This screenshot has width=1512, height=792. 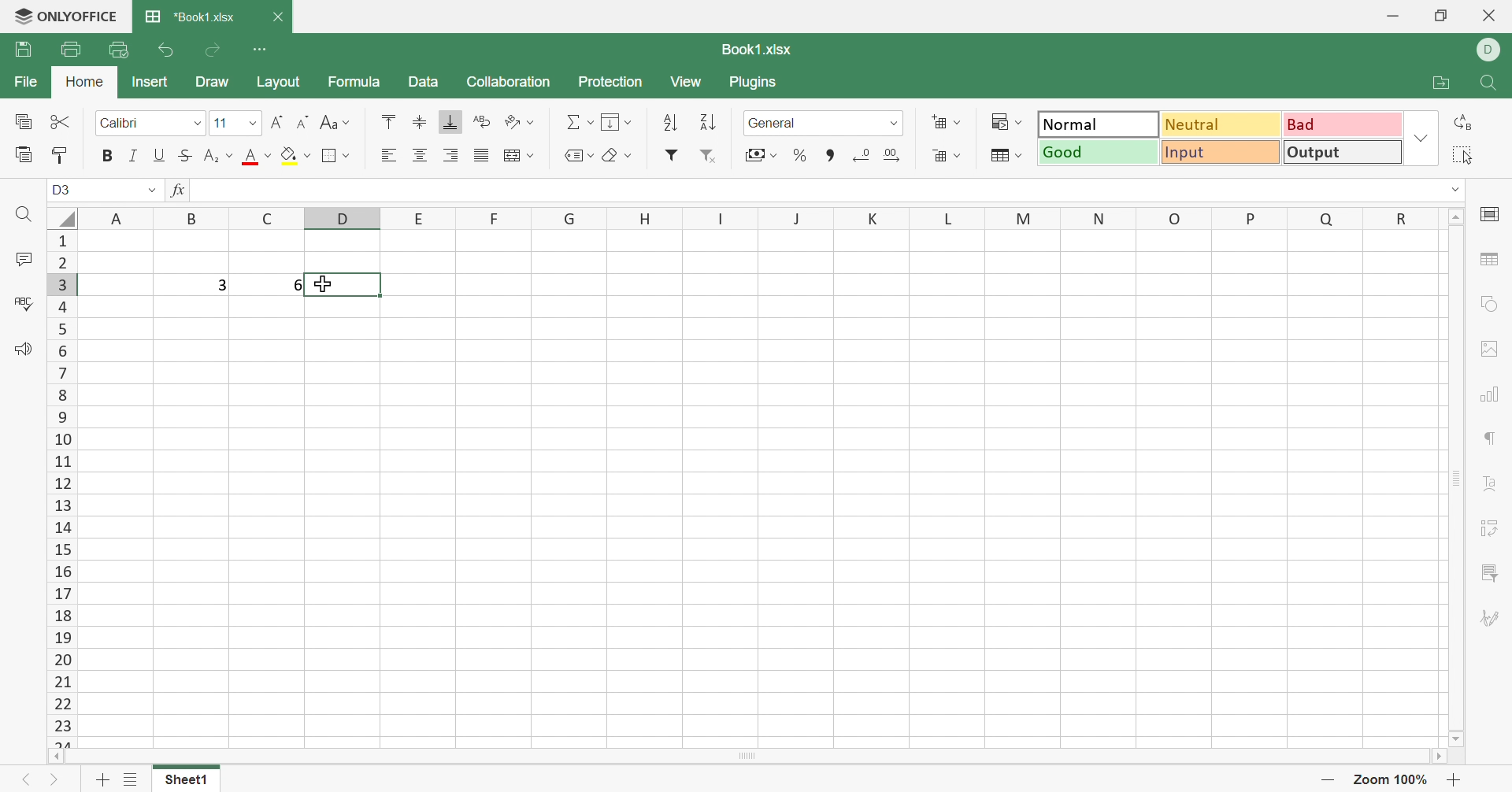 What do you see at coordinates (105, 157) in the screenshot?
I see `Bold` at bounding box center [105, 157].